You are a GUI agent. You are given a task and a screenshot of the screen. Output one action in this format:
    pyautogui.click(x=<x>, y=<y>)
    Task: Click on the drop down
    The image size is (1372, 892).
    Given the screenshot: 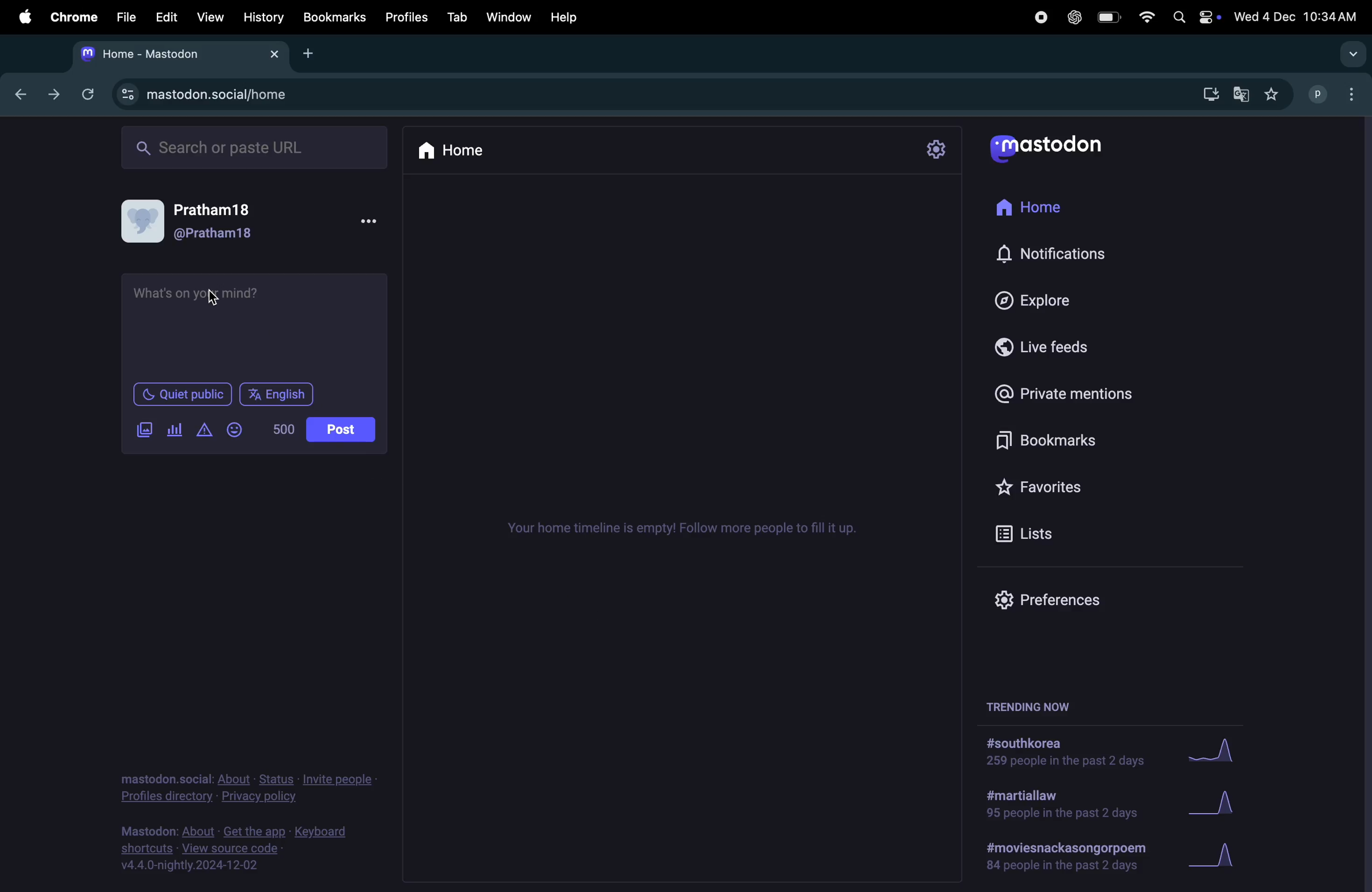 What is the action you would take?
    pyautogui.click(x=1354, y=55)
    